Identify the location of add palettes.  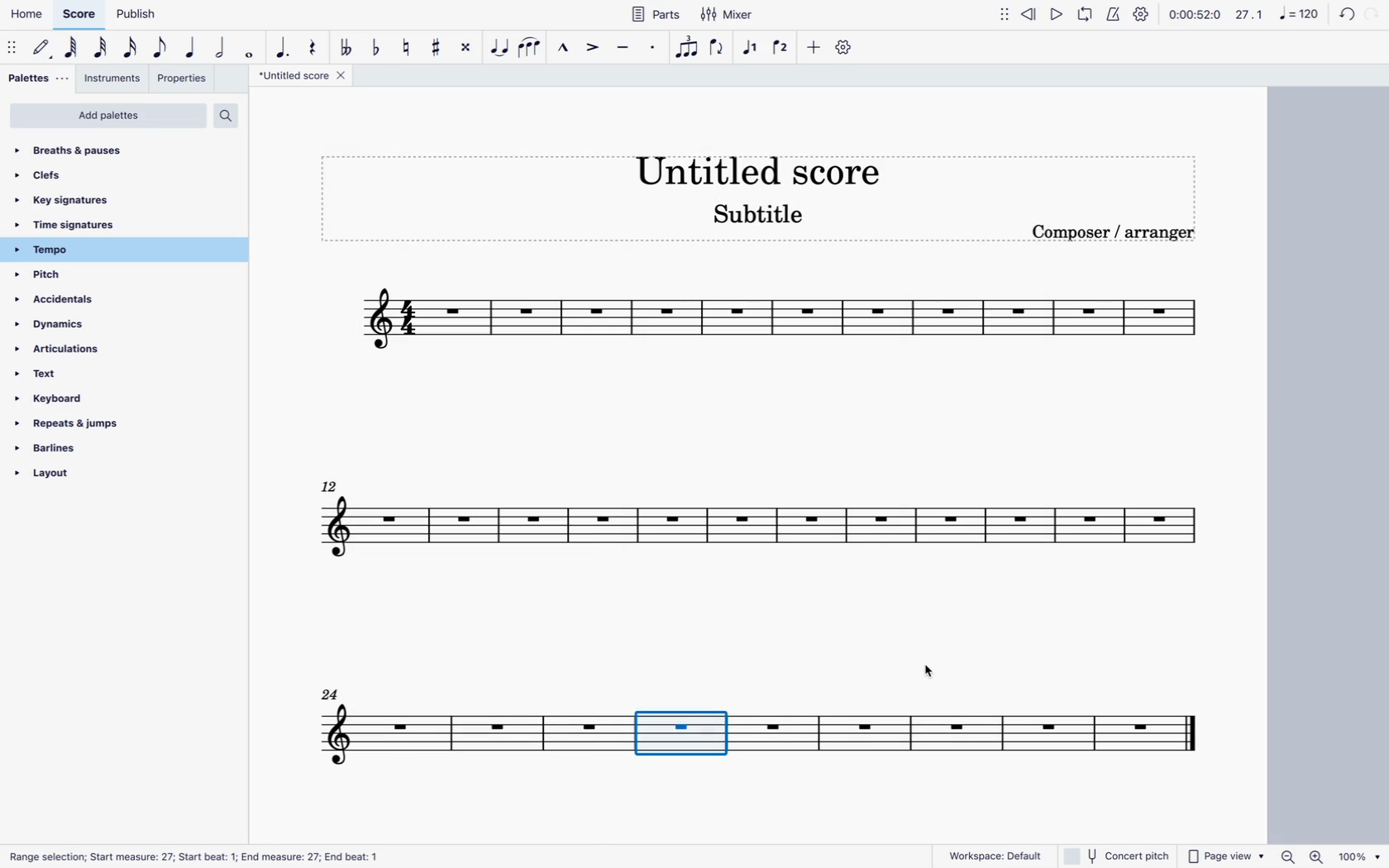
(109, 117).